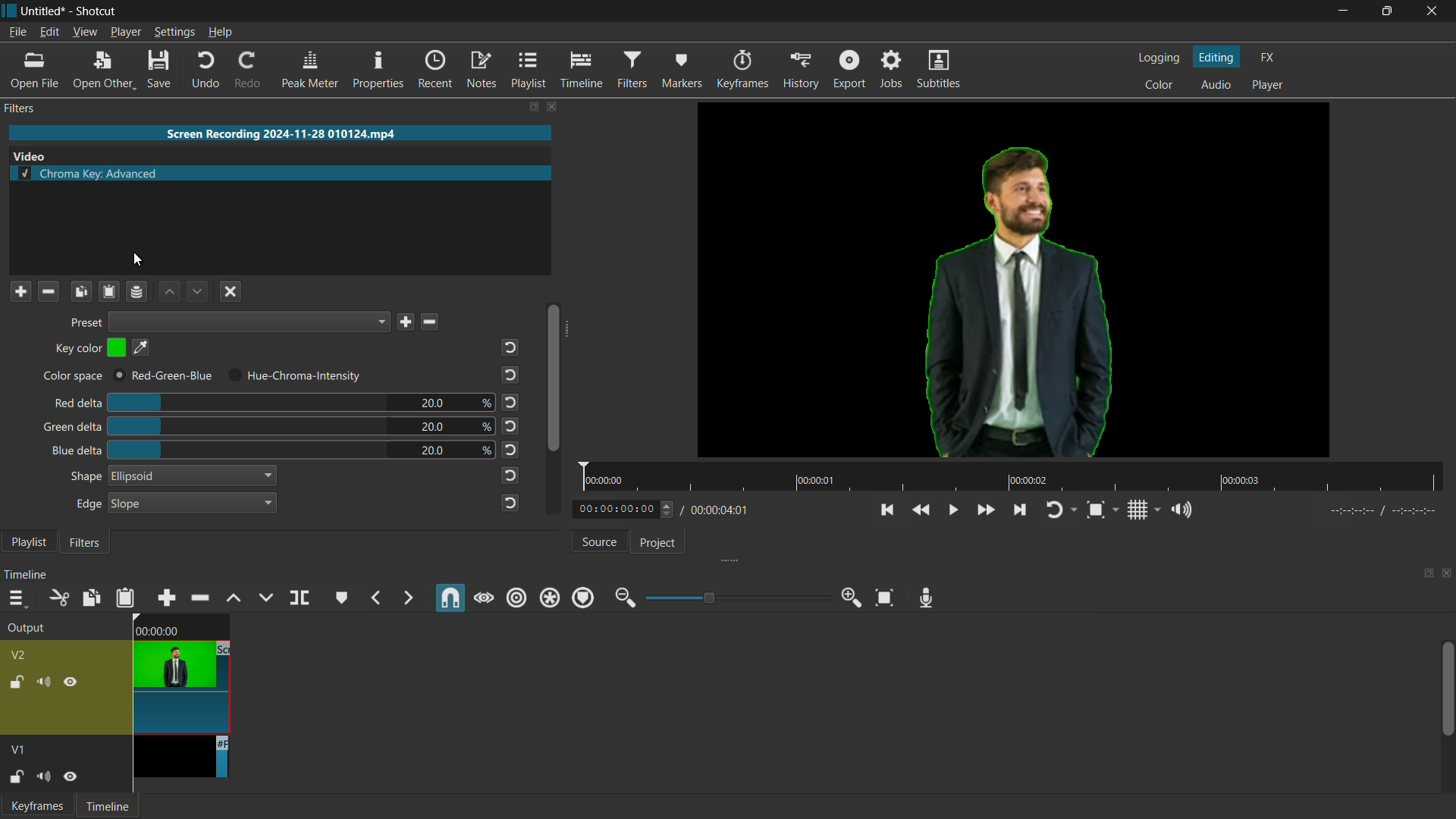 The width and height of the screenshot is (1456, 819). What do you see at coordinates (179, 758) in the screenshot?
I see `video-1 on timeline` at bounding box center [179, 758].